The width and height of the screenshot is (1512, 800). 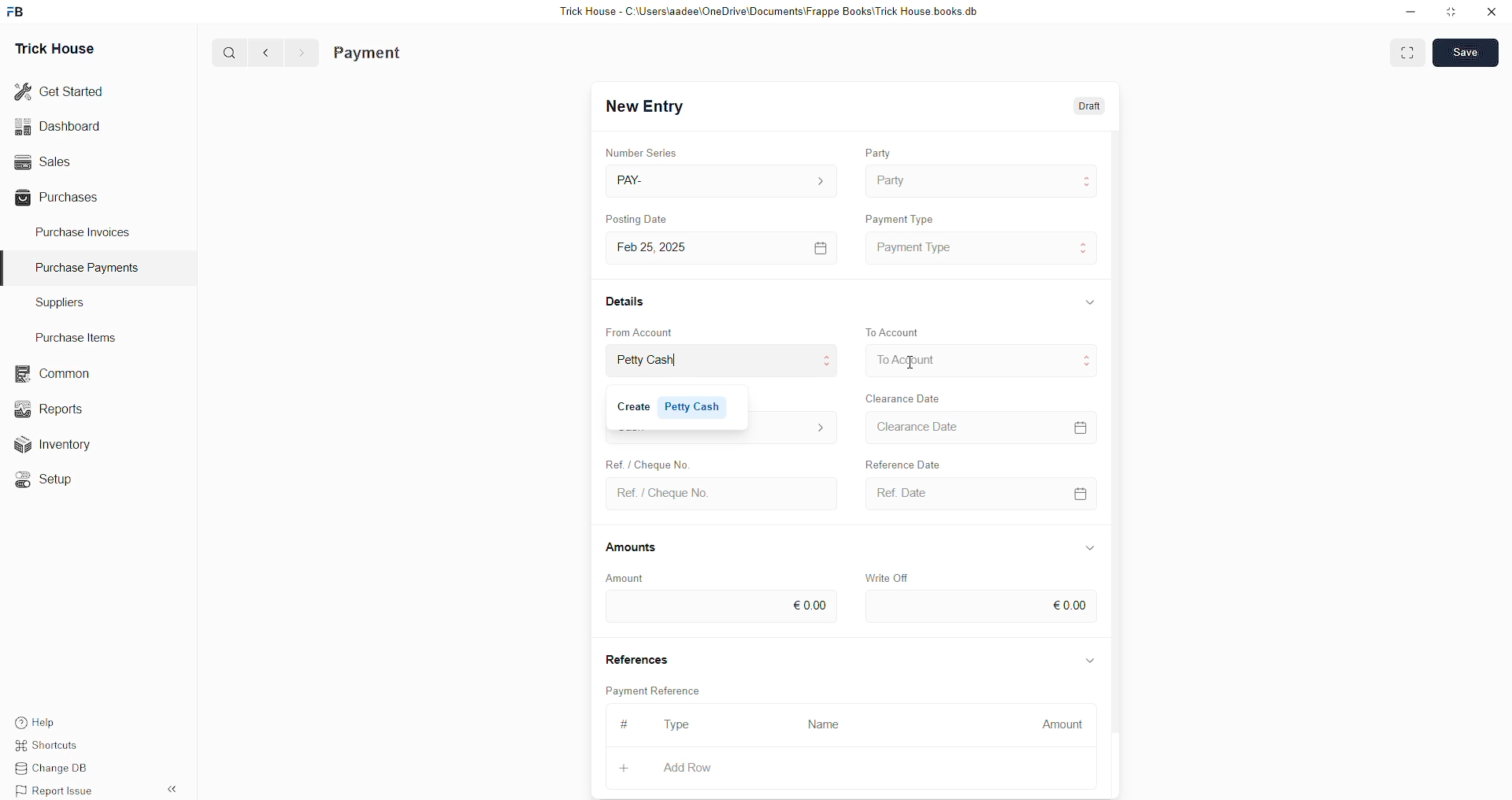 I want to click on Details, so click(x=628, y=300).